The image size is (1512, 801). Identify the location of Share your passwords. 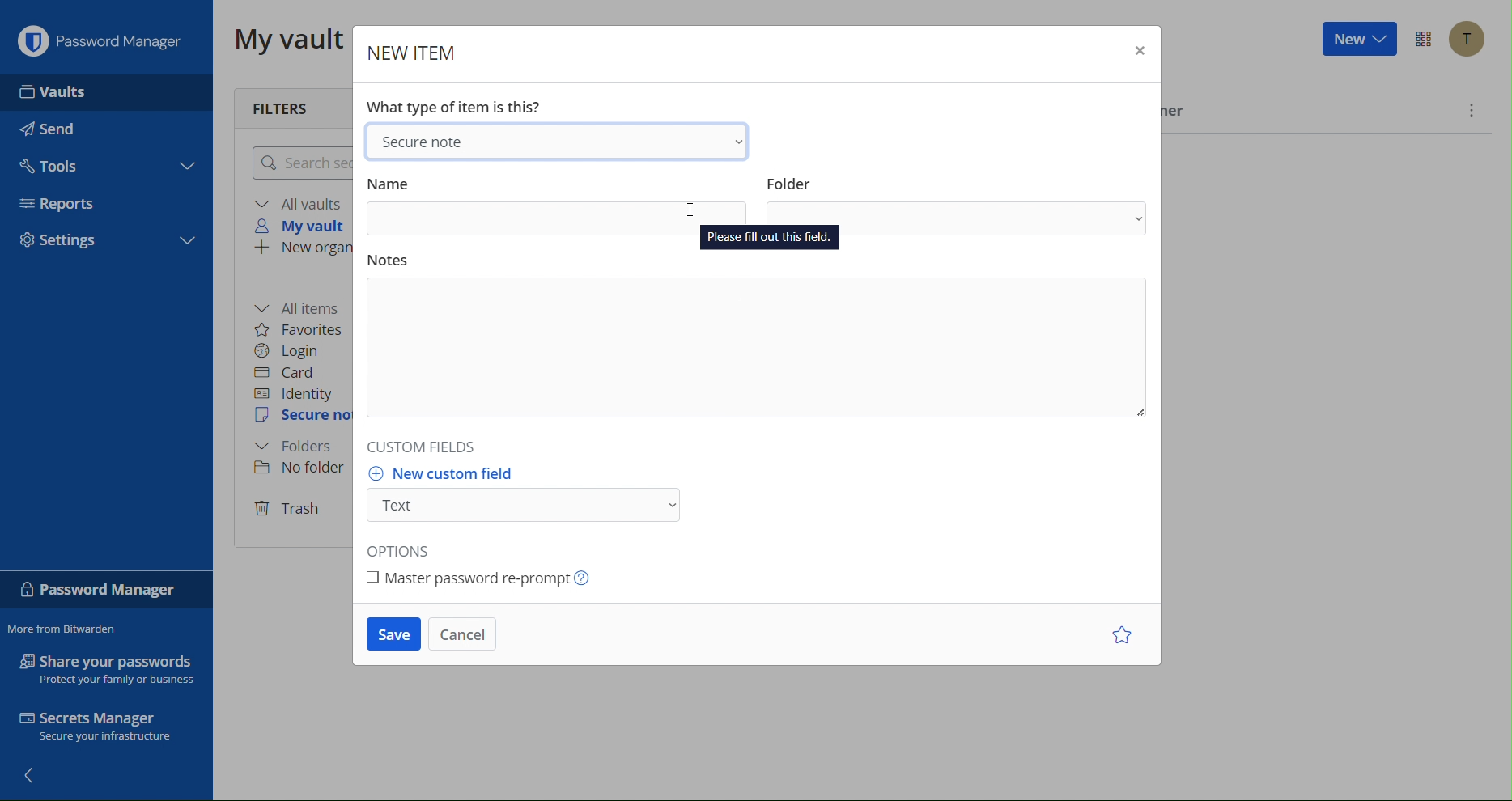
(106, 668).